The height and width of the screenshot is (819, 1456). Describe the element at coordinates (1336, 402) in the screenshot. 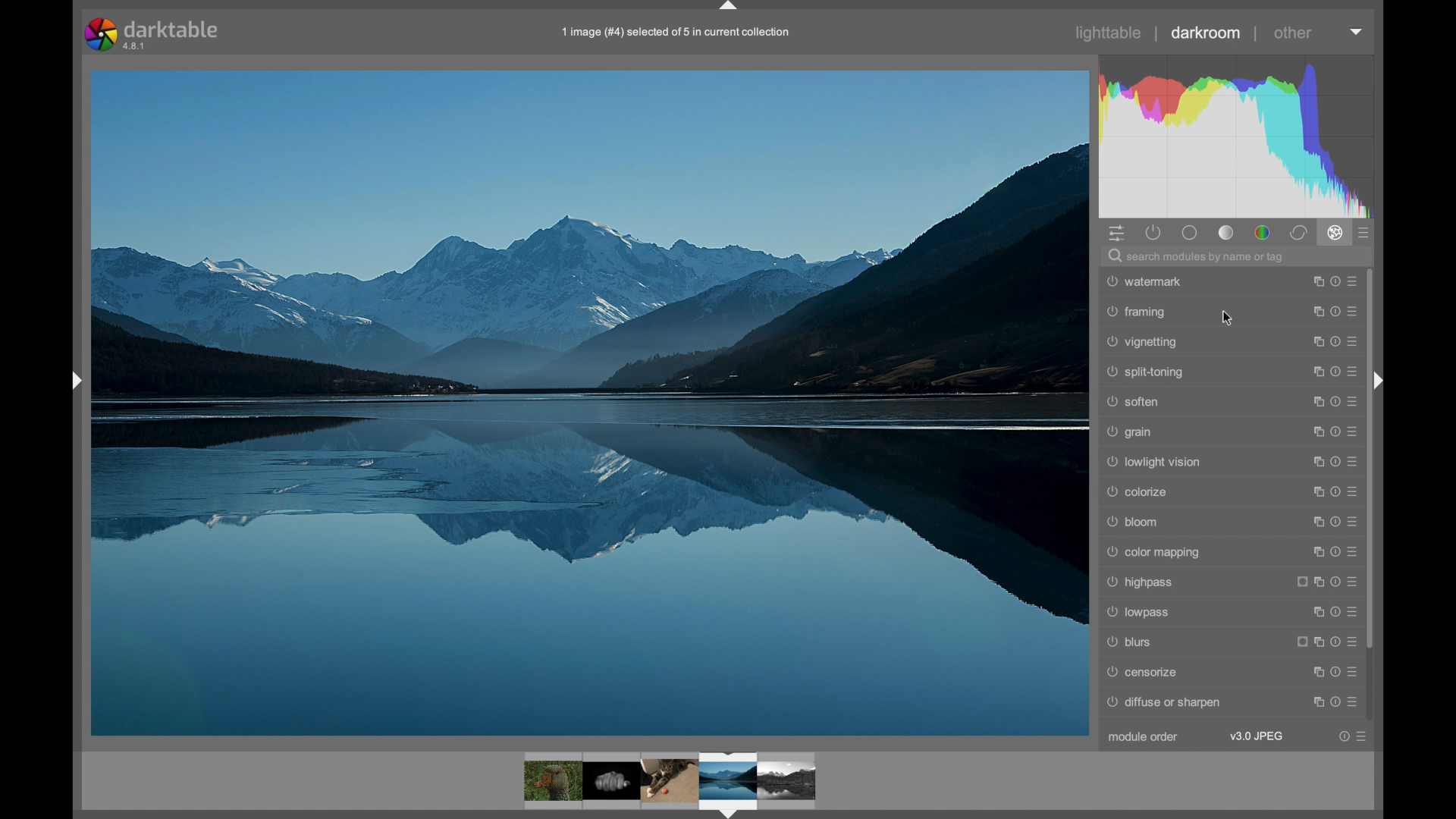

I see `more options` at that location.